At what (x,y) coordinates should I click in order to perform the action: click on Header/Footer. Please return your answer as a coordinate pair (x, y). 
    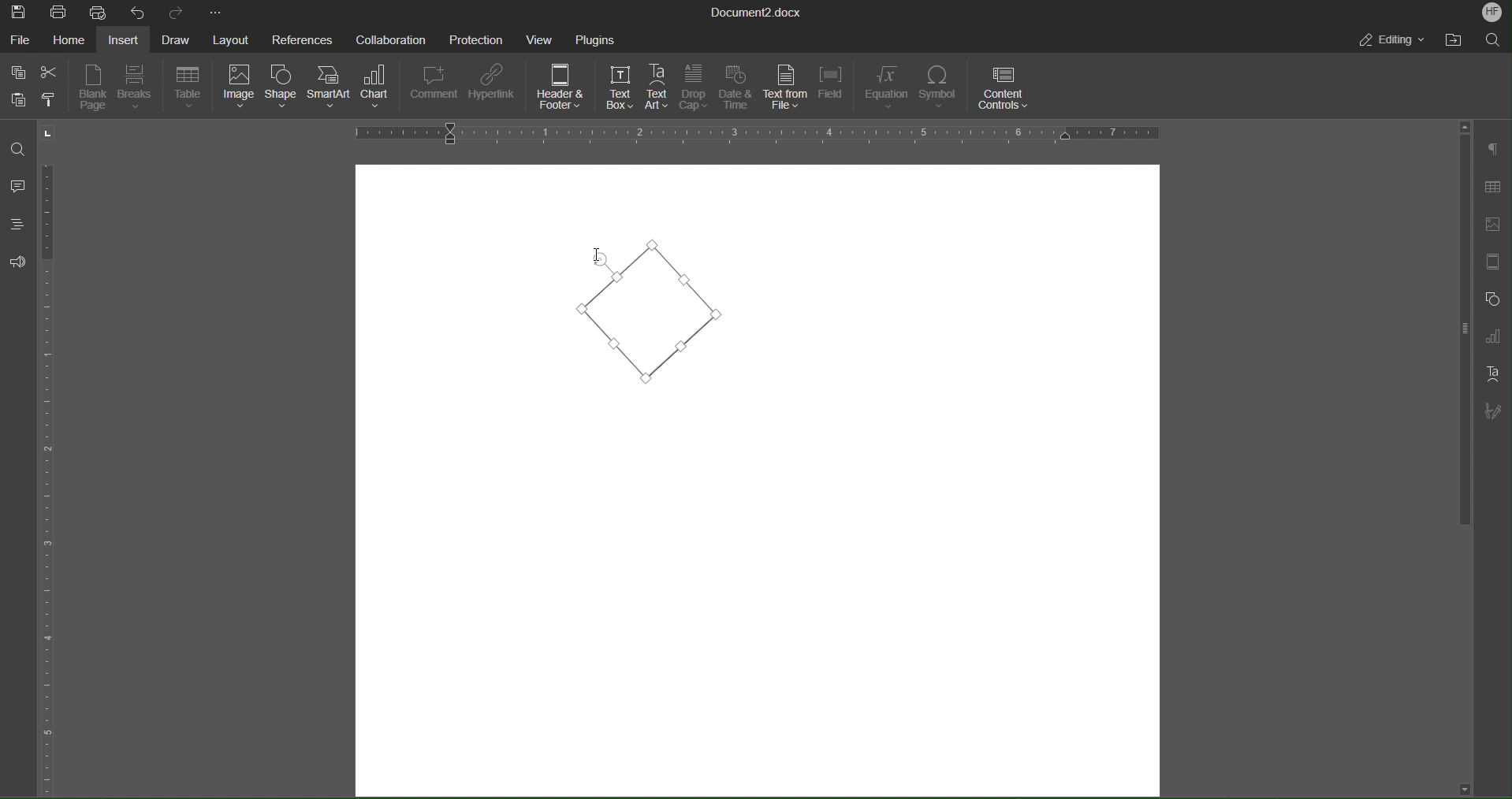
    Looking at the image, I should click on (1490, 262).